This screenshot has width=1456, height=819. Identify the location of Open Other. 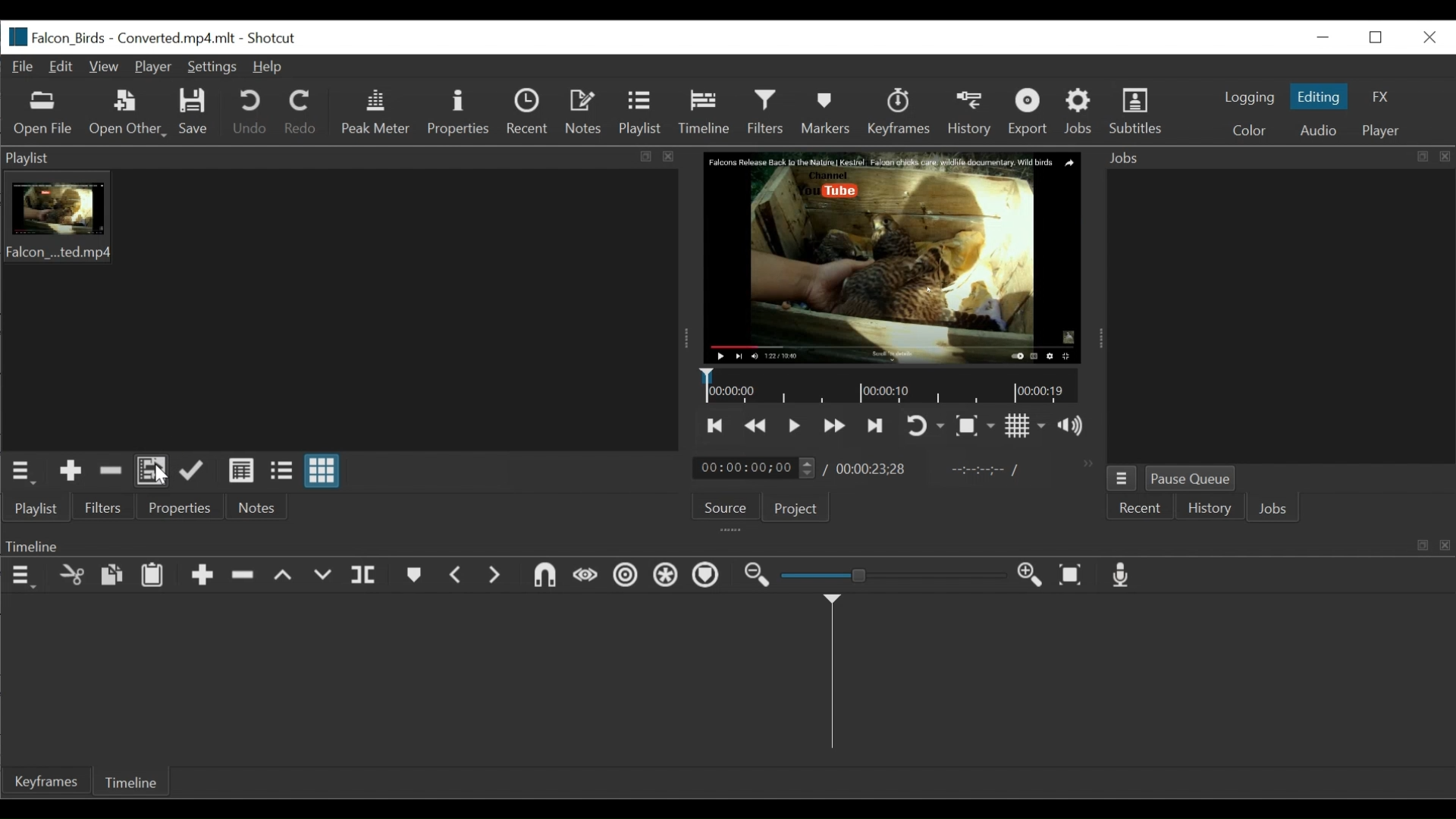
(125, 112).